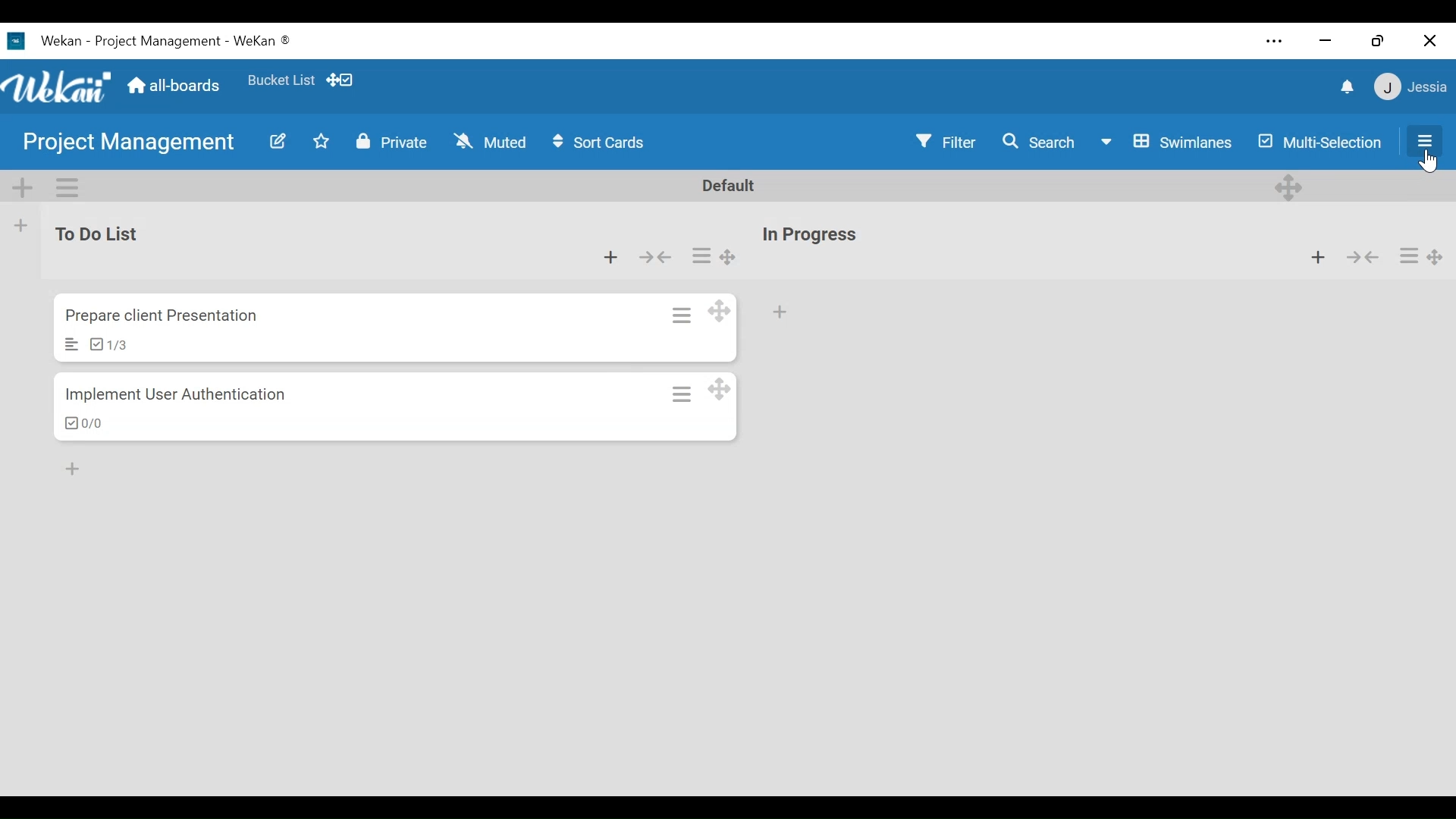  I want to click on Toggle Favorite, so click(324, 141).